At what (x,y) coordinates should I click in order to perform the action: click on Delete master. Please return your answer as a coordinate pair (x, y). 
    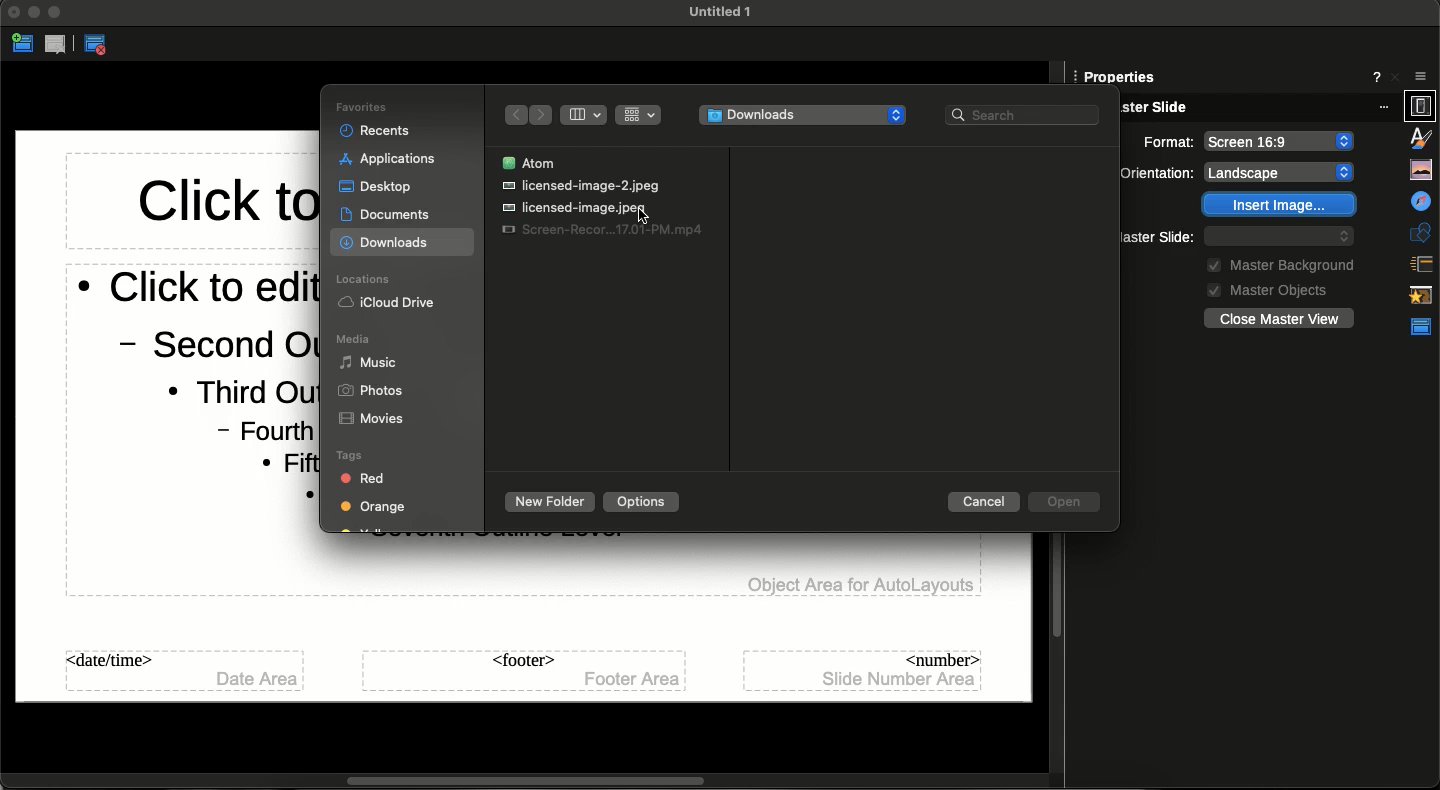
    Looking at the image, I should click on (58, 45).